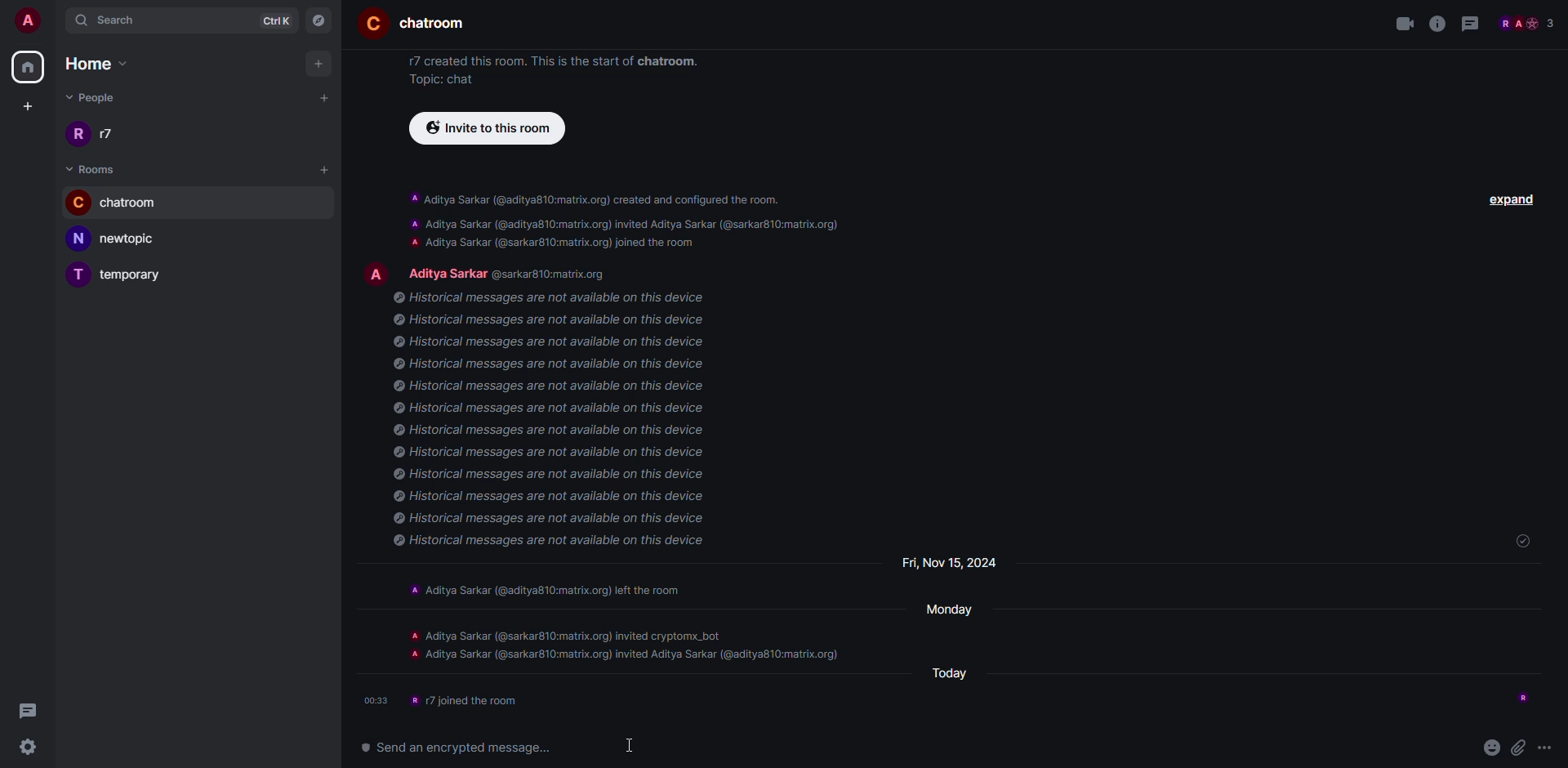 The width and height of the screenshot is (1568, 768). I want to click on threads, so click(1473, 24).